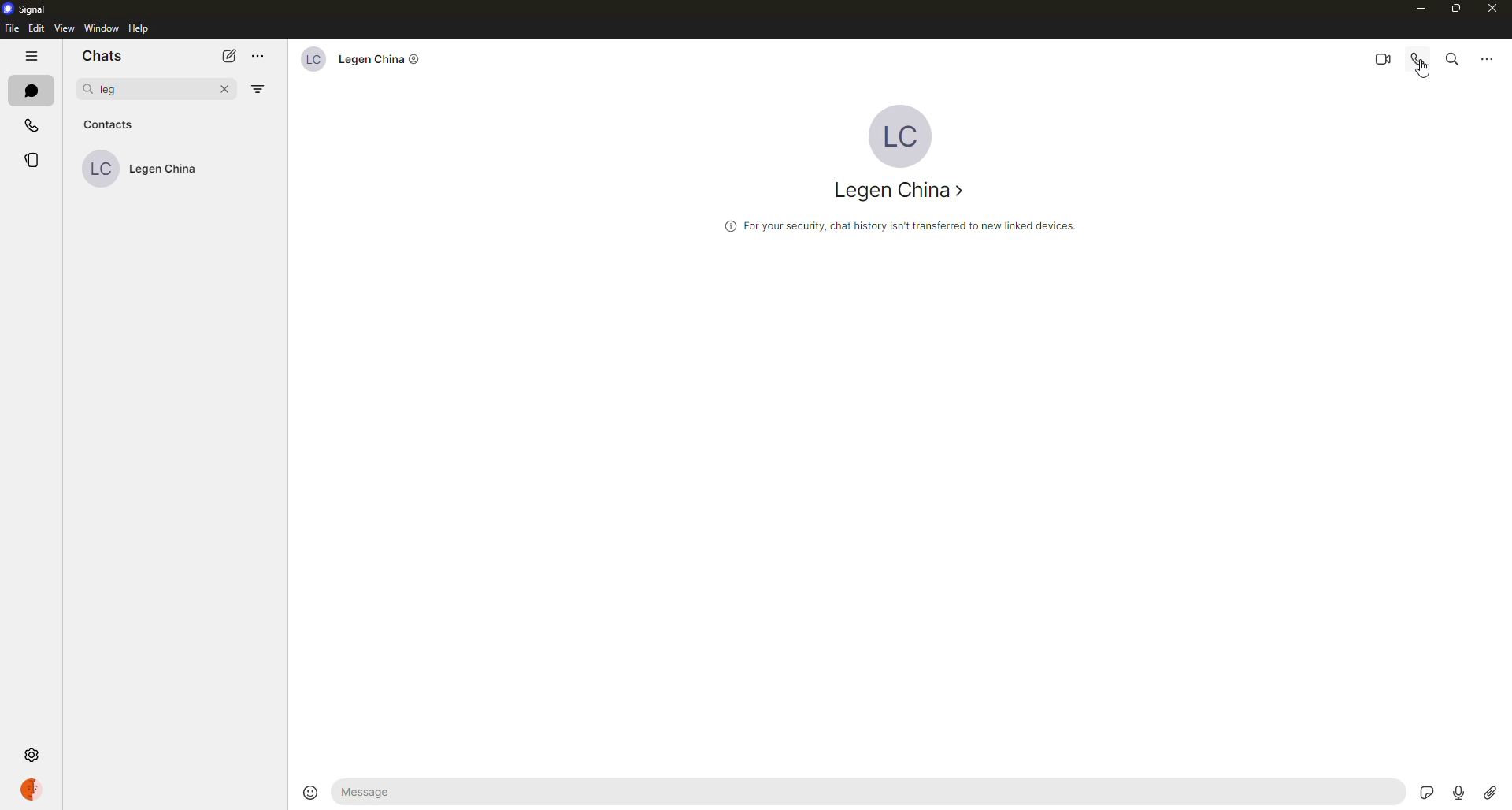  I want to click on message, so click(417, 794).